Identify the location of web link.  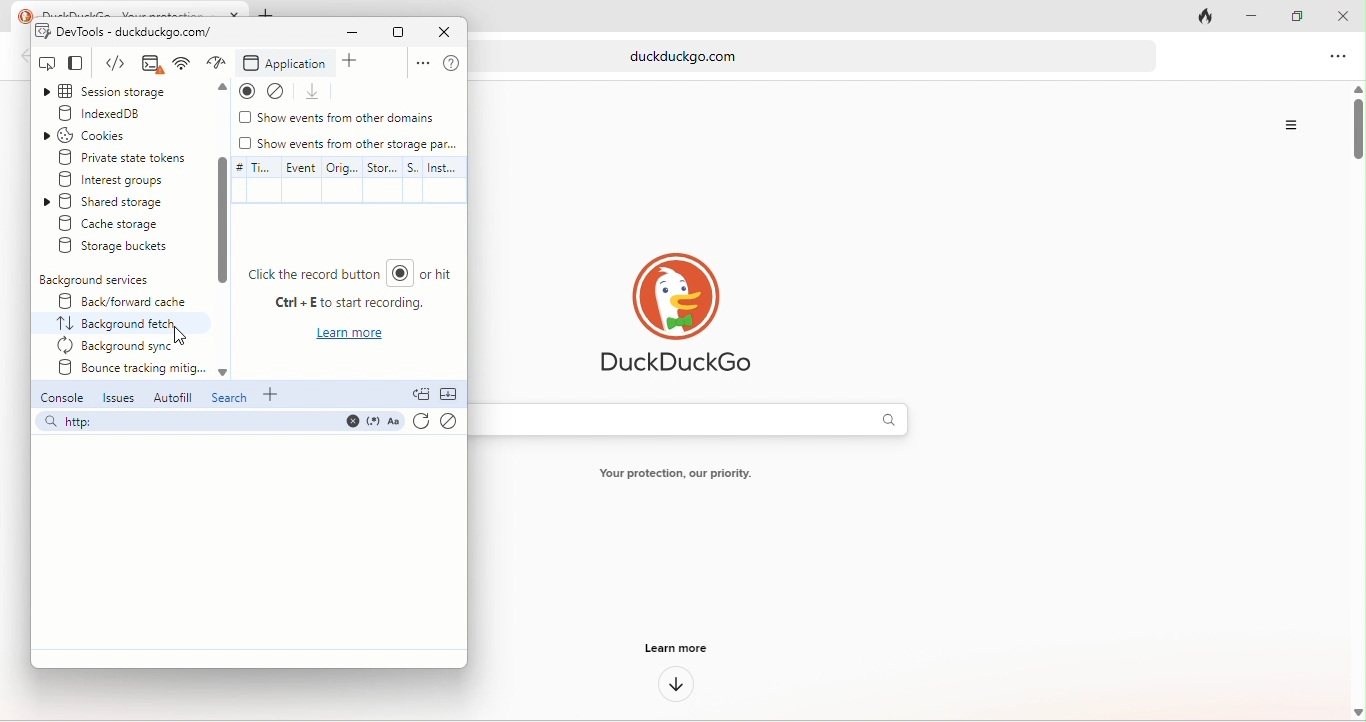
(822, 55).